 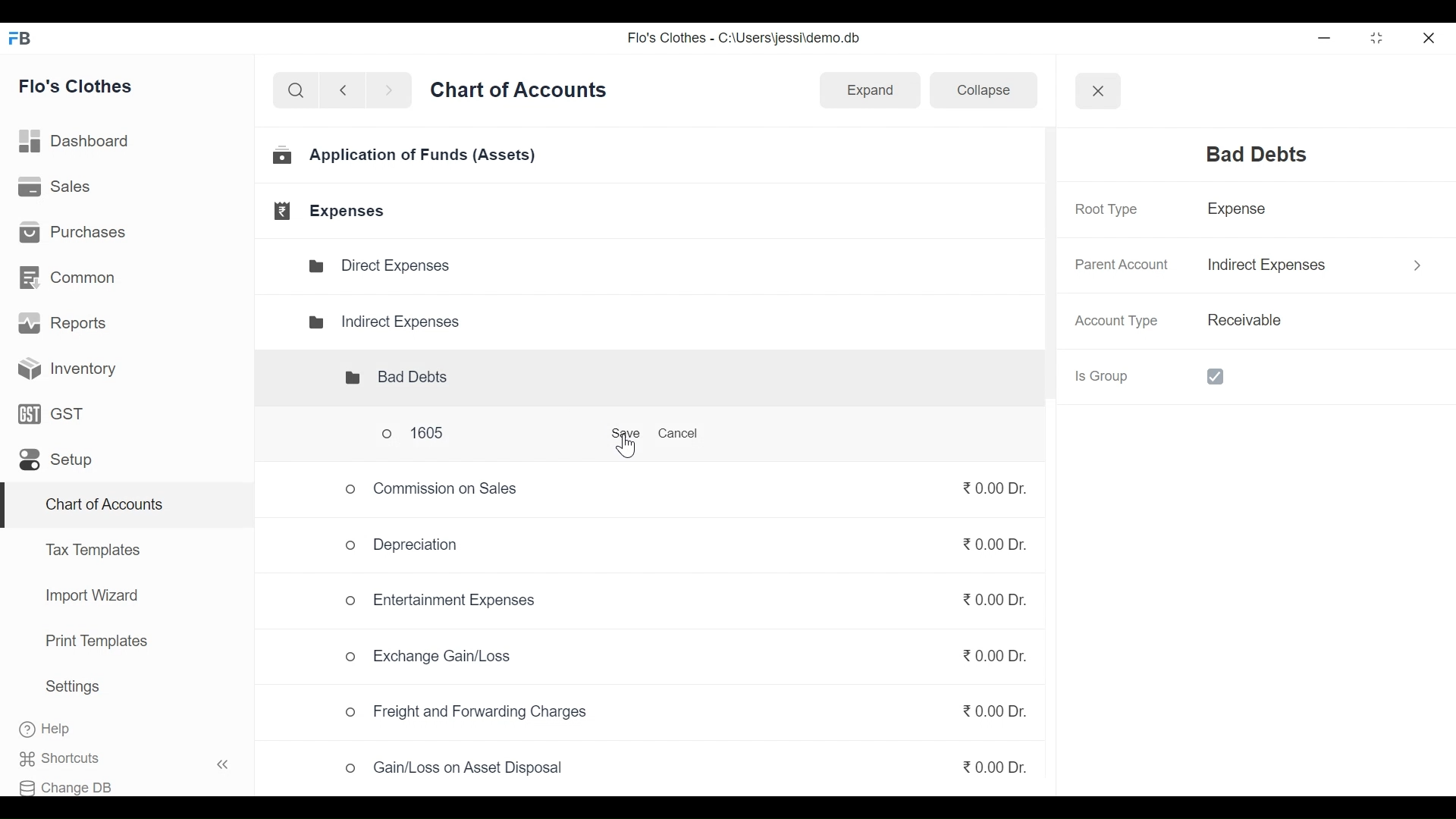 I want to click on Bad Debts, so click(x=1247, y=155).